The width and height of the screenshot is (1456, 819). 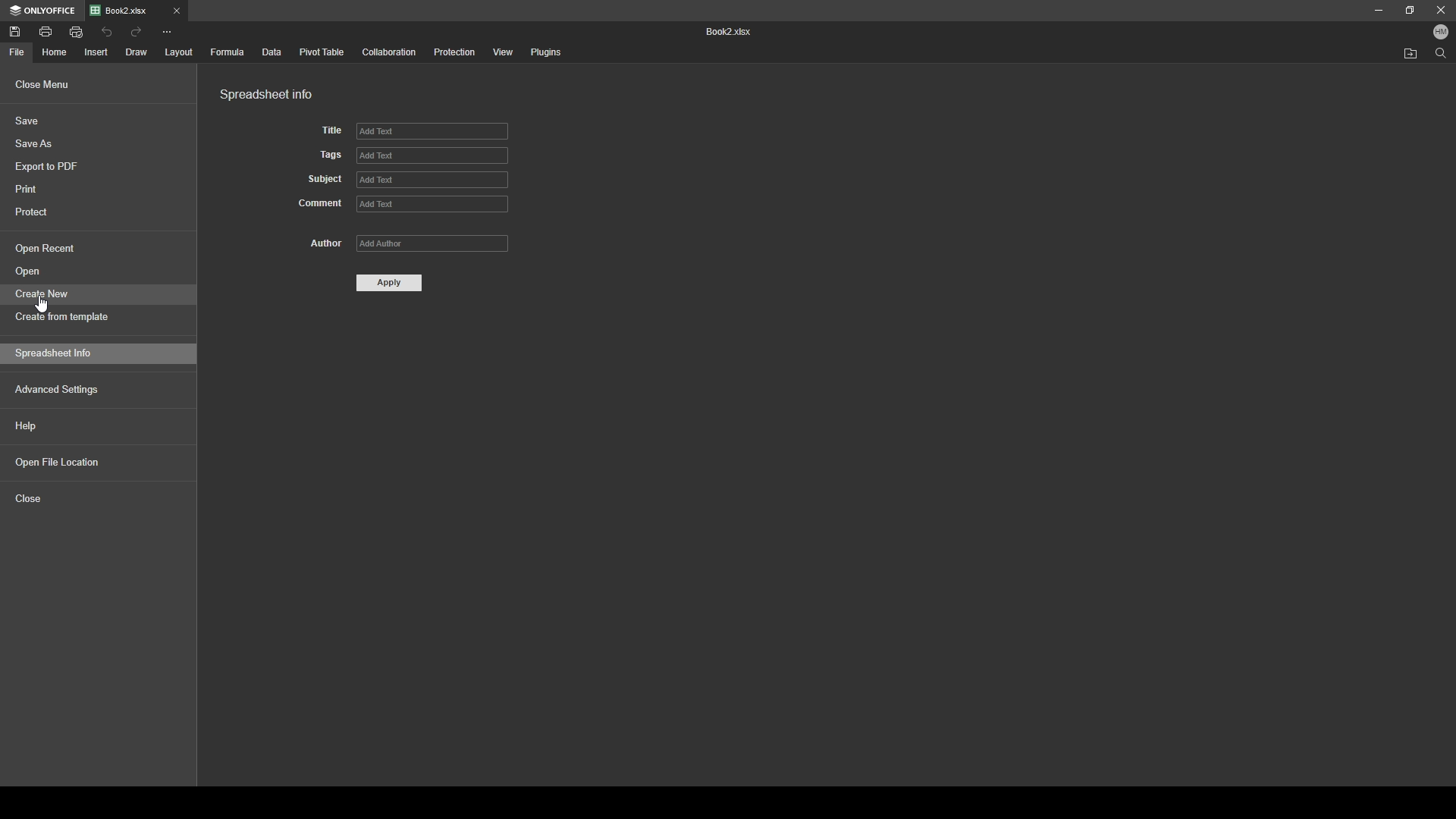 I want to click on author, so click(x=327, y=241).